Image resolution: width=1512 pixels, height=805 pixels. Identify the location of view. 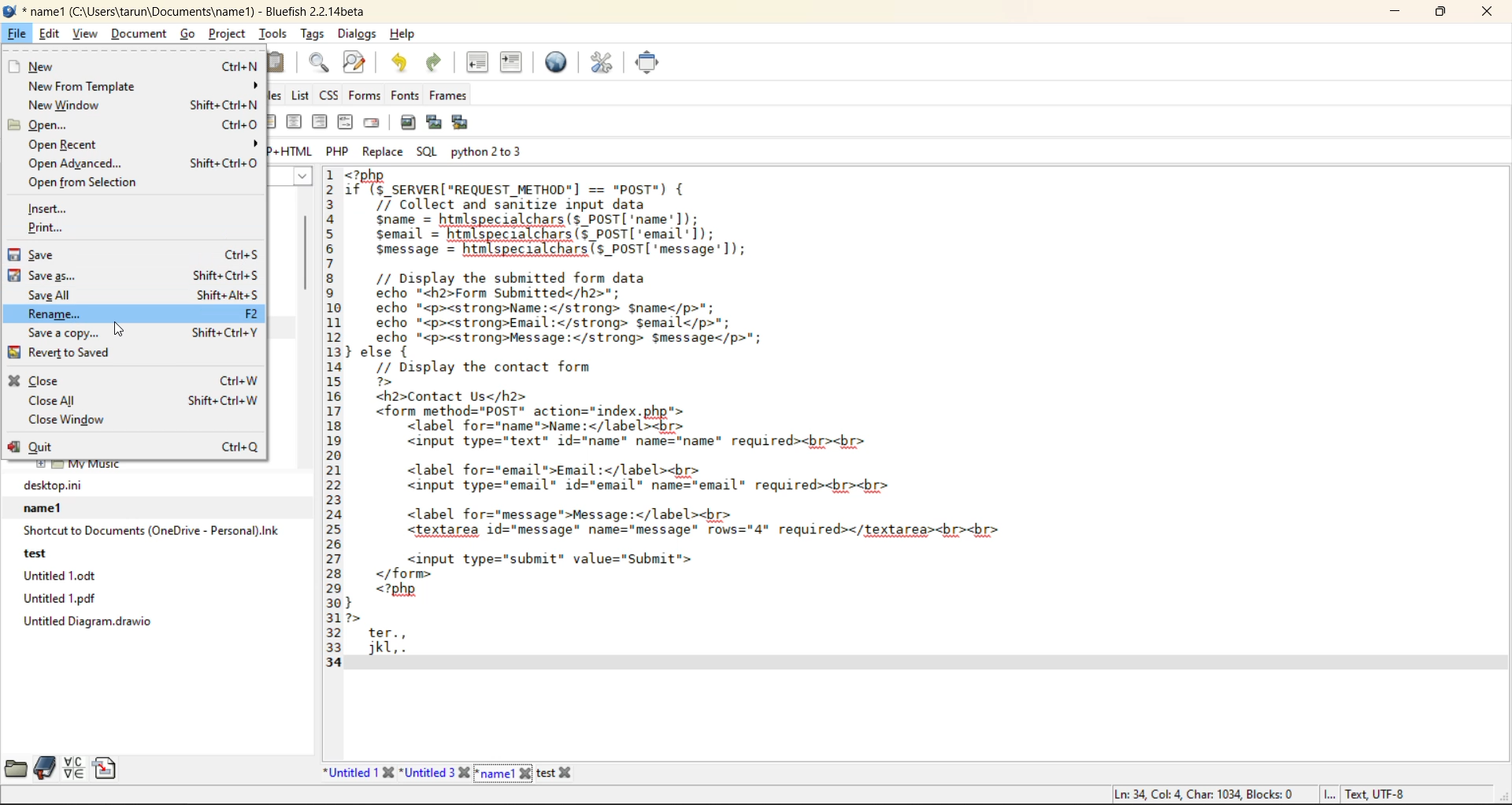
(87, 36).